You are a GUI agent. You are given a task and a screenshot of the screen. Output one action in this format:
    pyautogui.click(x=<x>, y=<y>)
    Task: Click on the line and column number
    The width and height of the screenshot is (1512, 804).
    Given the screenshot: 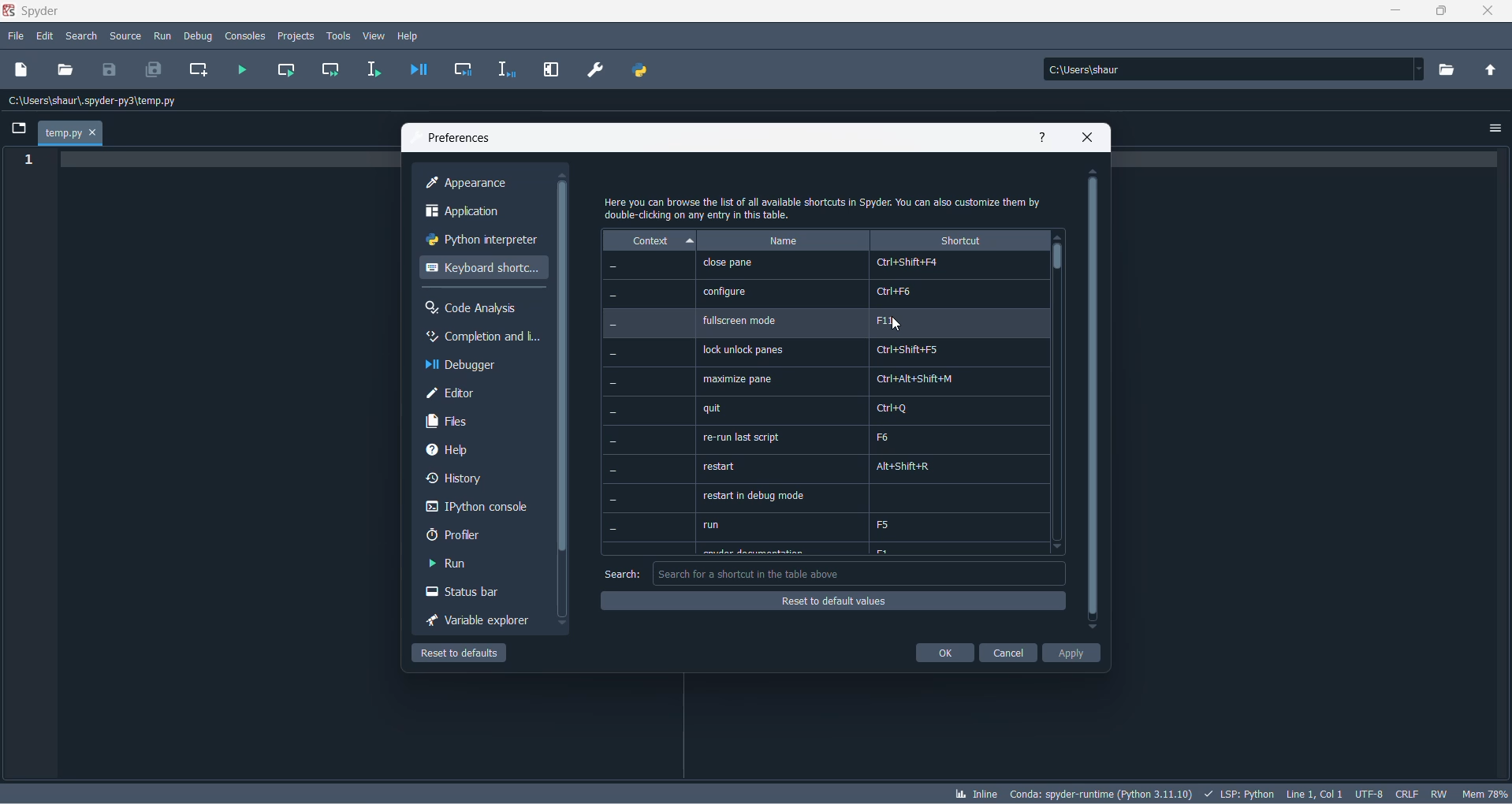 What is the action you would take?
    pyautogui.click(x=1315, y=791)
    